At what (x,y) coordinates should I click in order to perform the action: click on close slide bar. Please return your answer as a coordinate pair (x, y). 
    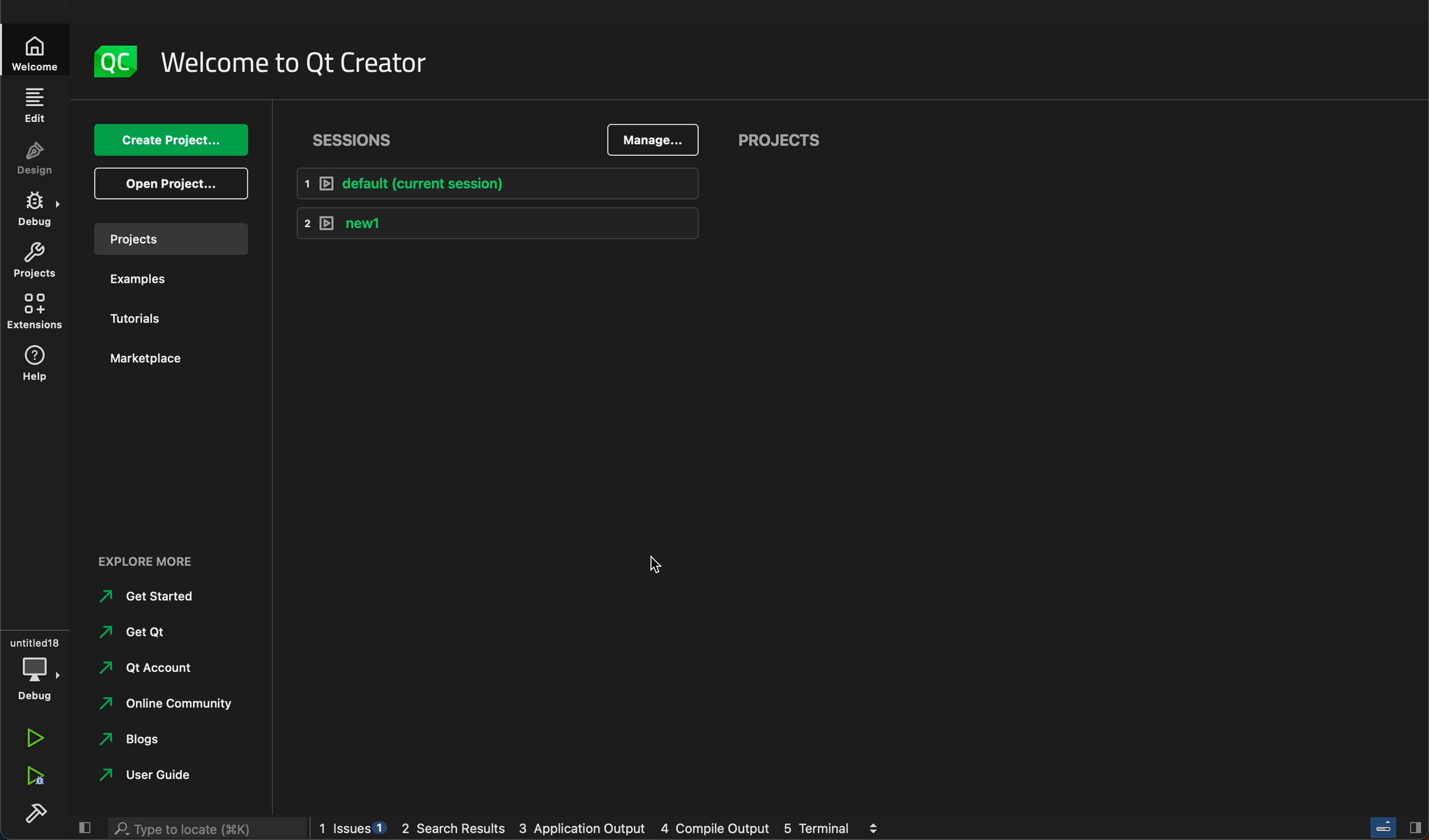
    Looking at the image, I should click on (1389, 827).